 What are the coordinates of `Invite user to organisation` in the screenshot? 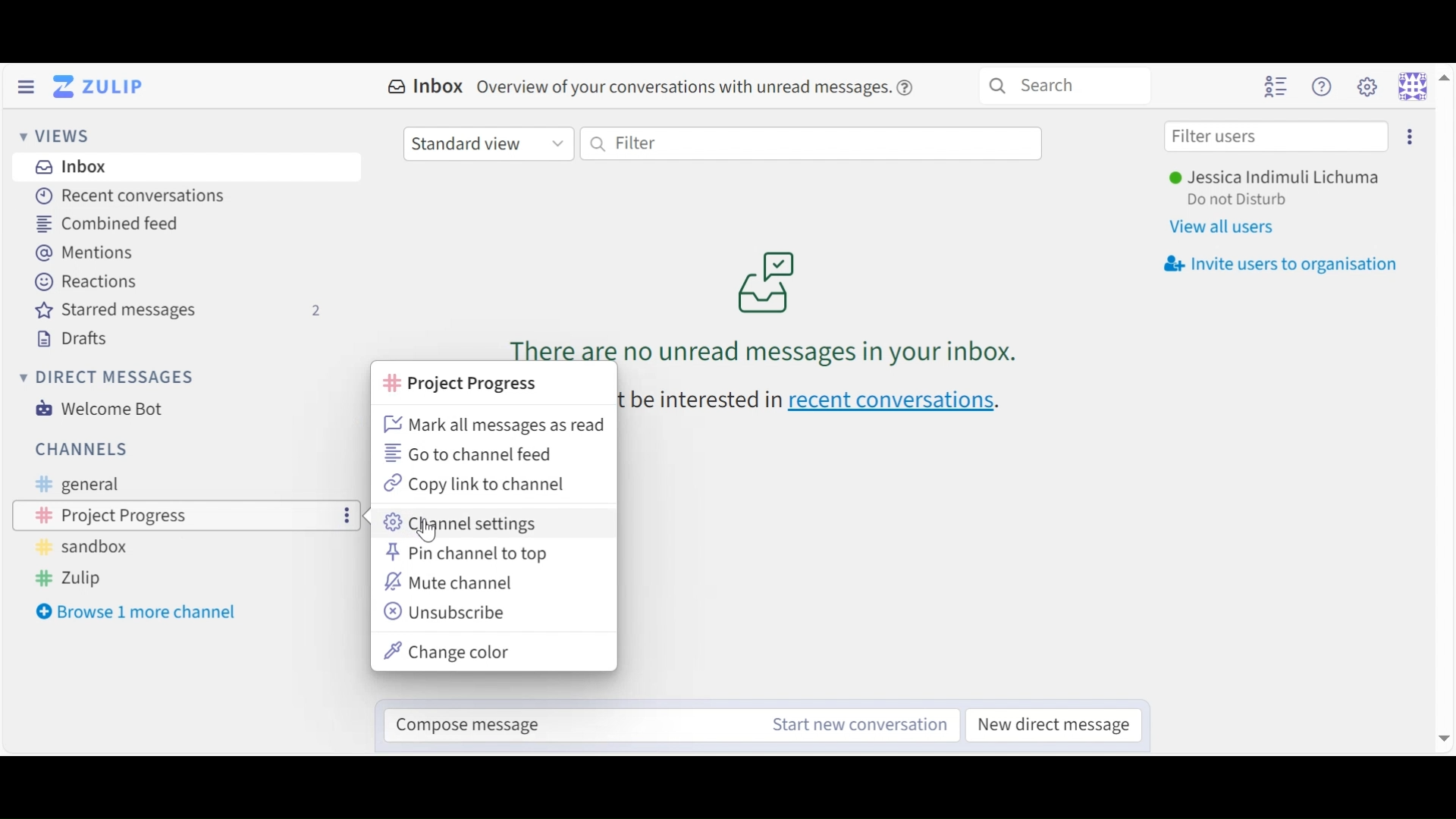 It's located at (1278, 266).